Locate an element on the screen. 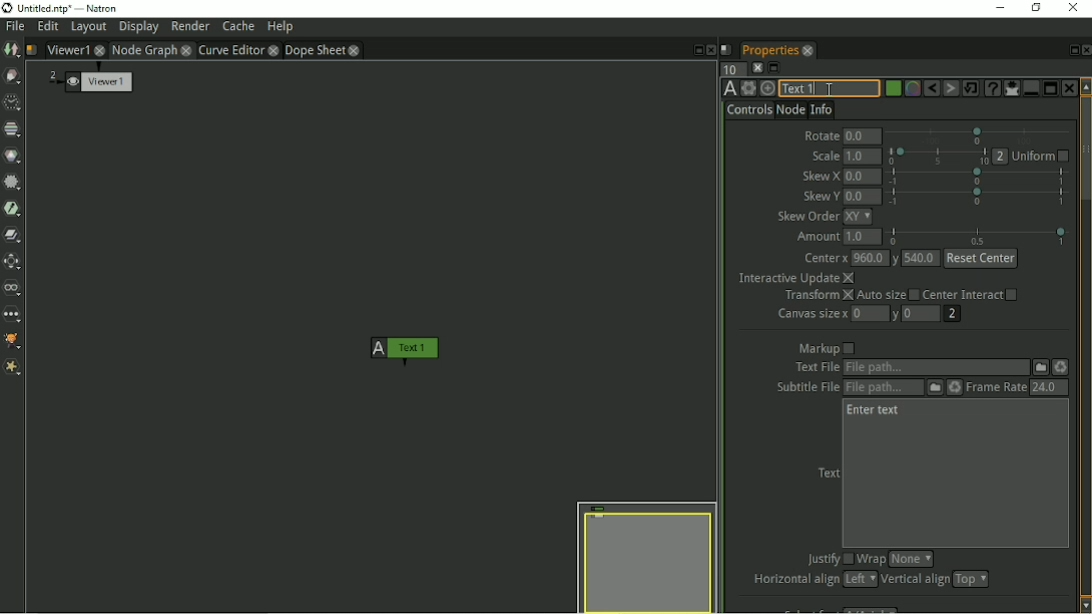  Draw is located at coordinates (12, 76).